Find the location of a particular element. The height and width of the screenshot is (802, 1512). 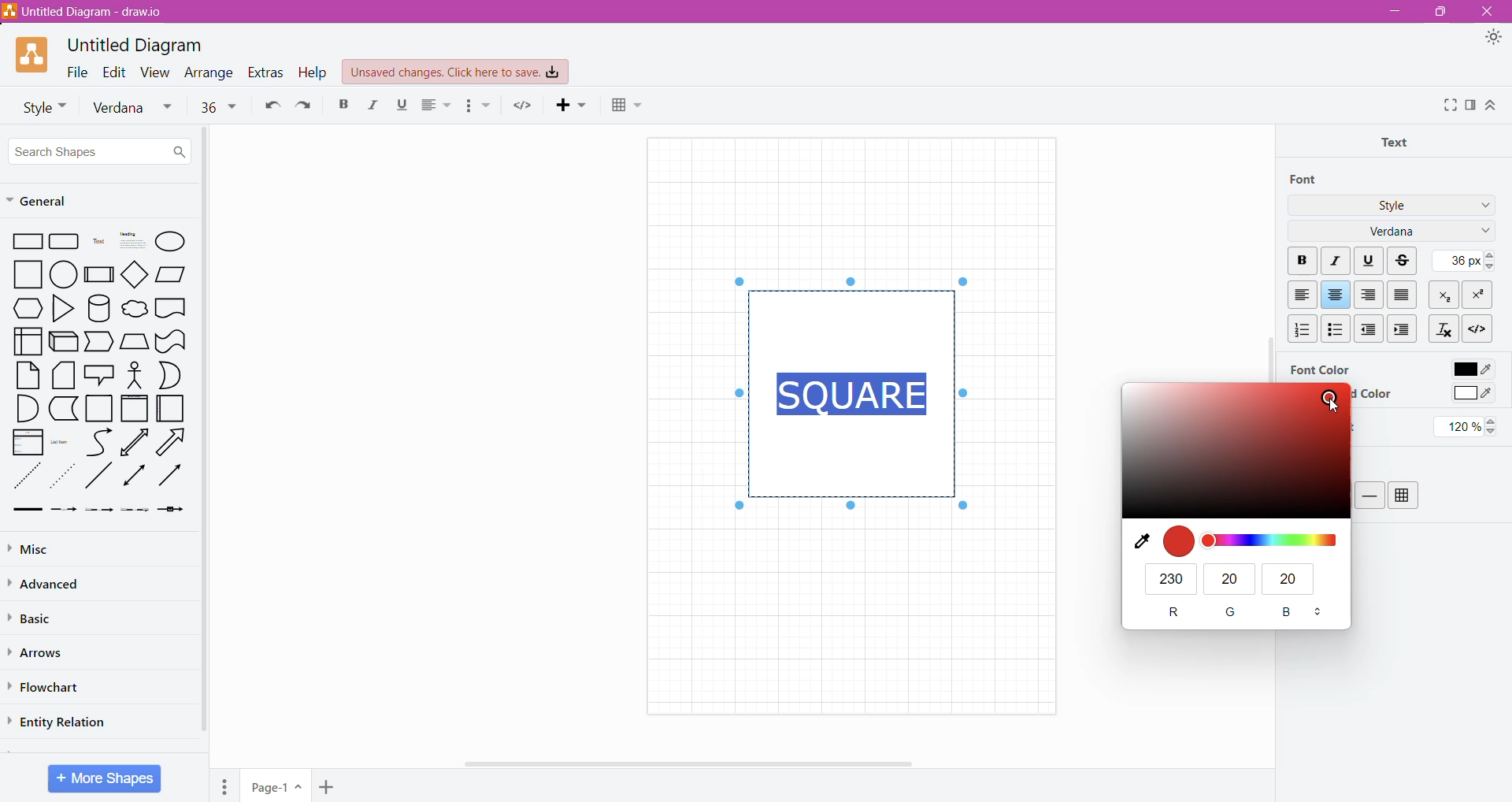

Minimize is located at coordinates (1395, 10).